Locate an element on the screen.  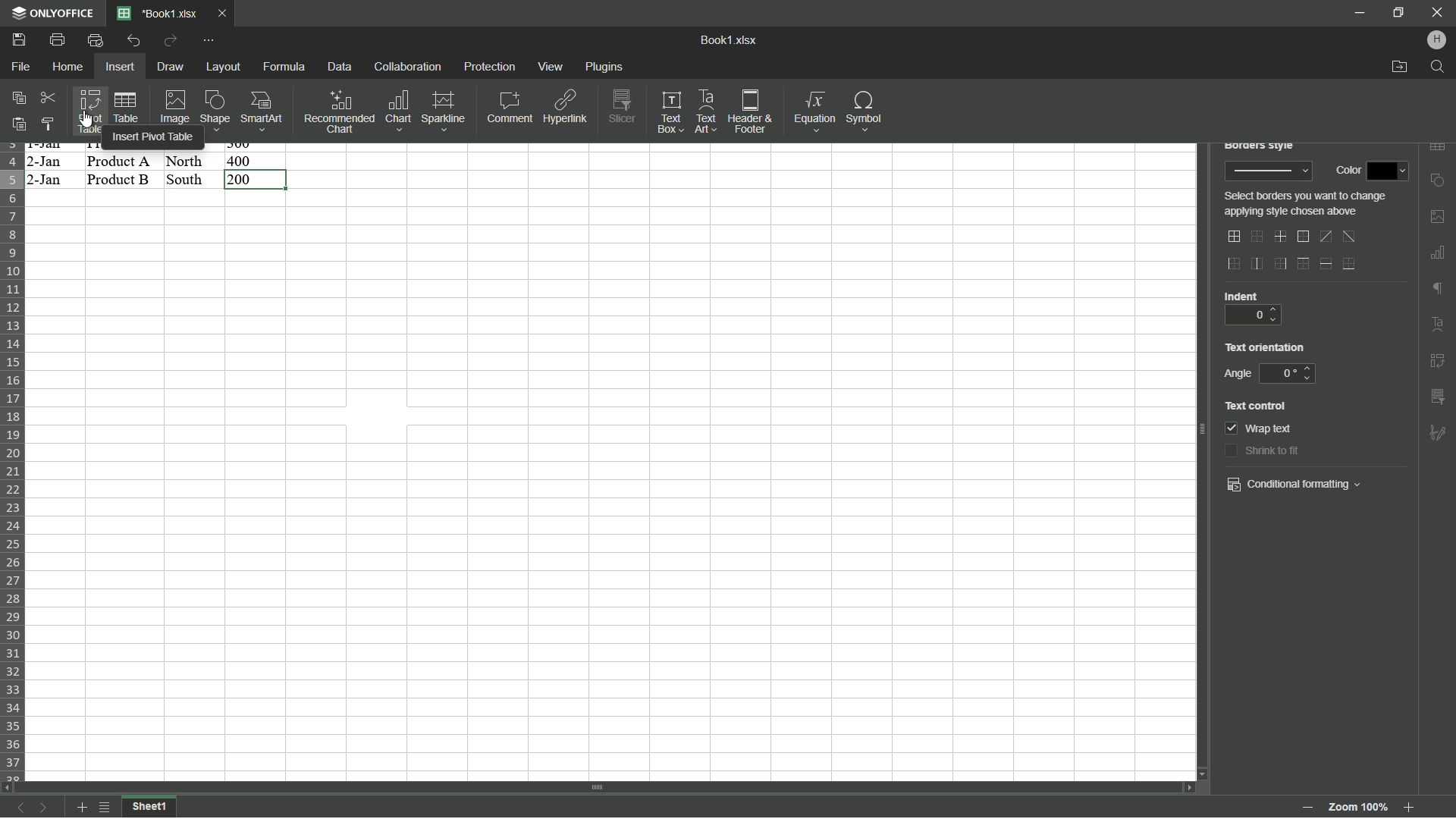
find is located at coordinates (1439, 67).